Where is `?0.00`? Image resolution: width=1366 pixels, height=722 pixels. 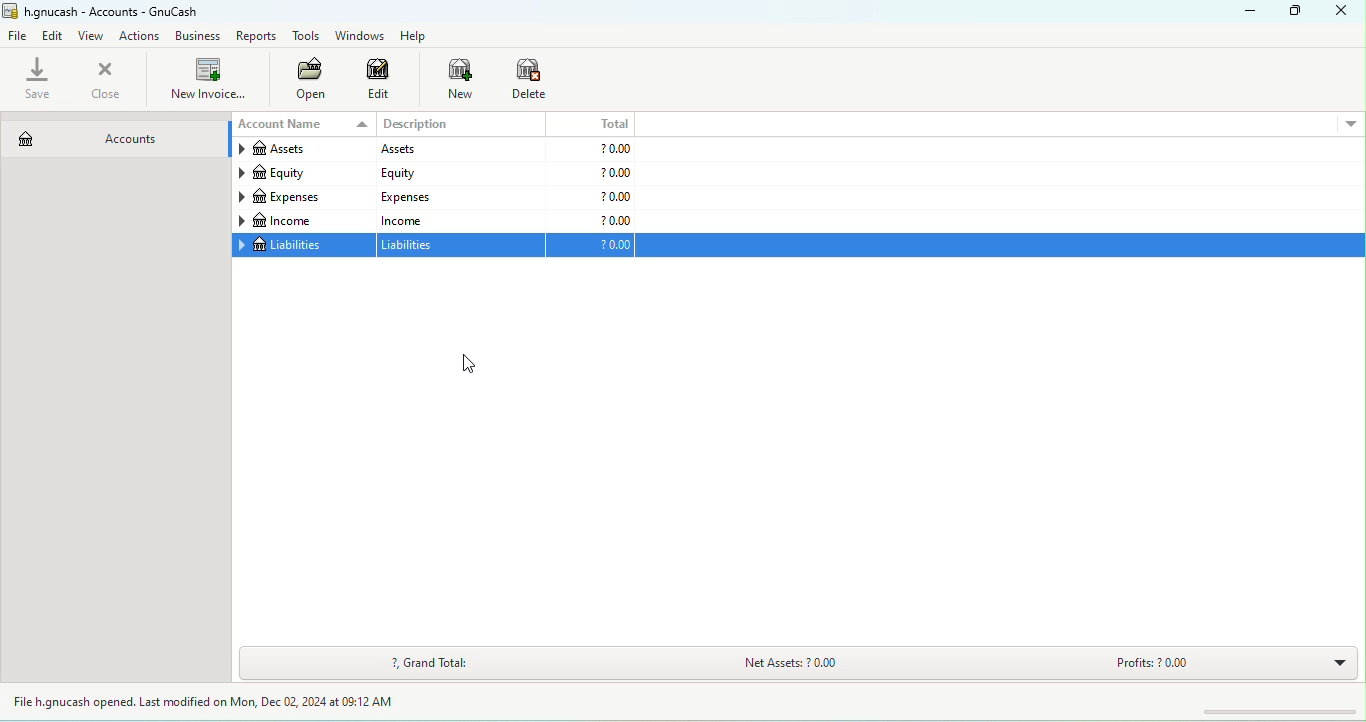 ?0.00 is located at coordinates (590, 220).